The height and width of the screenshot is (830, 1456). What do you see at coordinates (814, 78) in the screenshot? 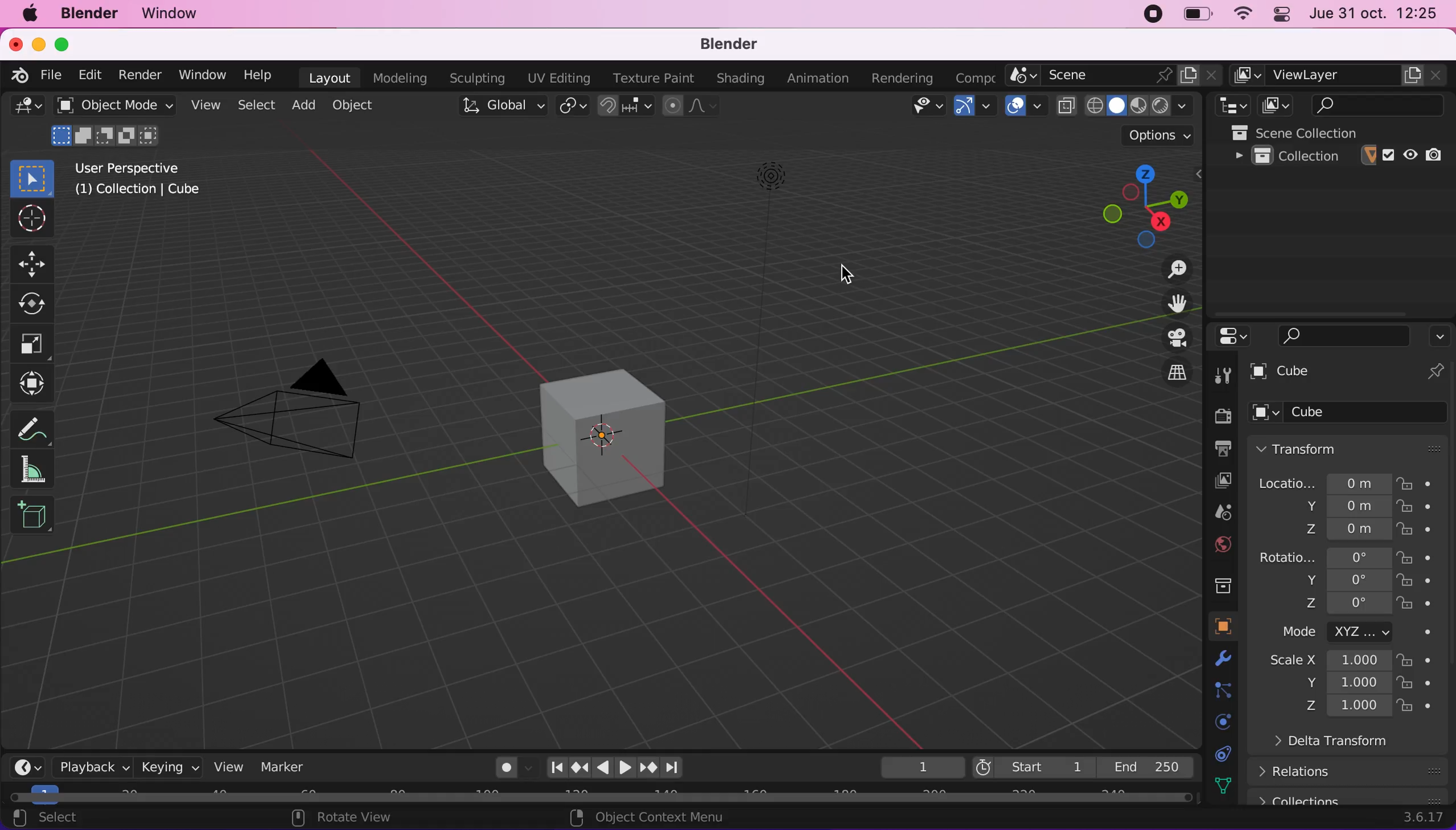
I see `animation` at bounding box center [814, 78].